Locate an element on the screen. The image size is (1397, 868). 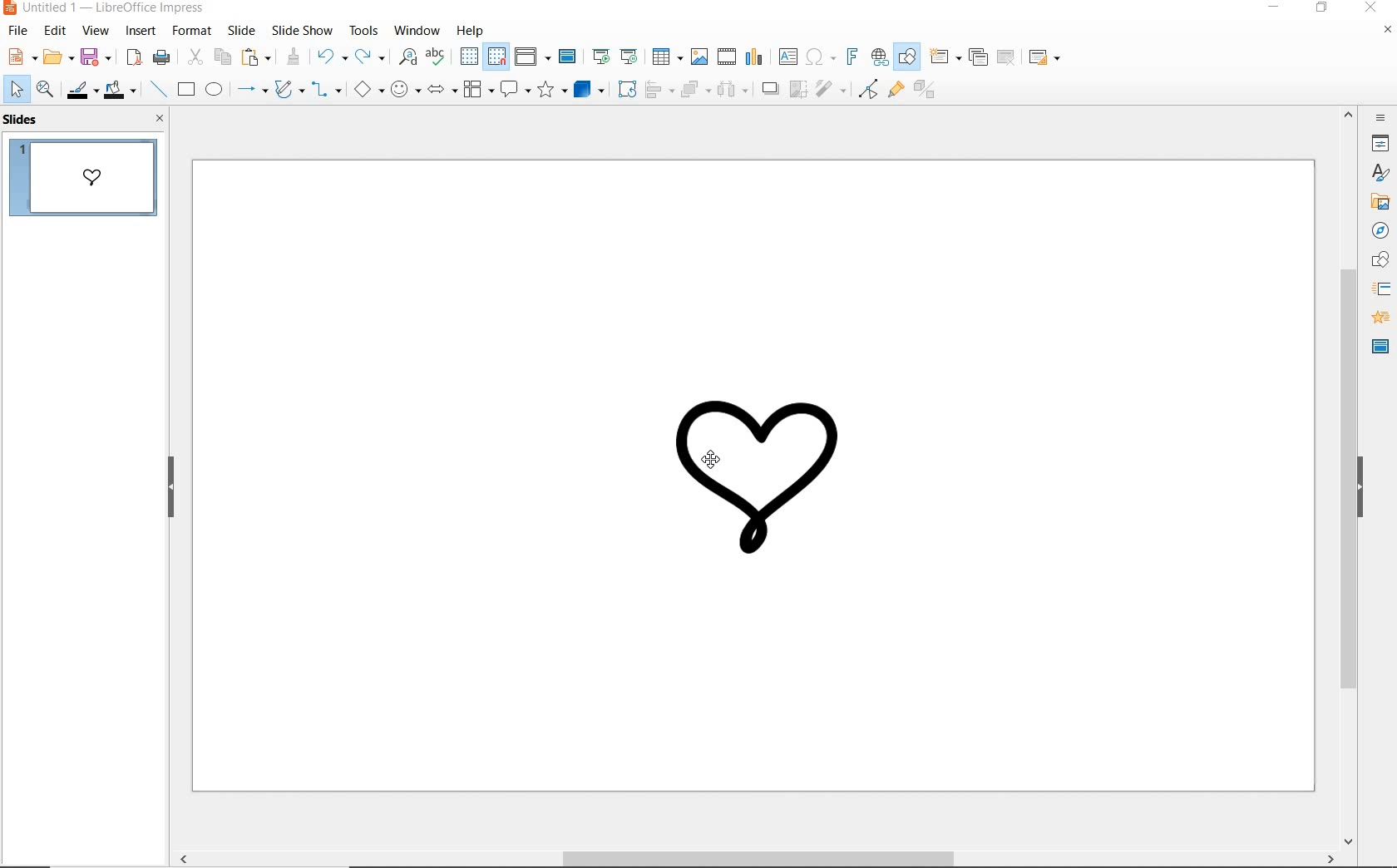
flowchart is located at coordinates (478, 90).